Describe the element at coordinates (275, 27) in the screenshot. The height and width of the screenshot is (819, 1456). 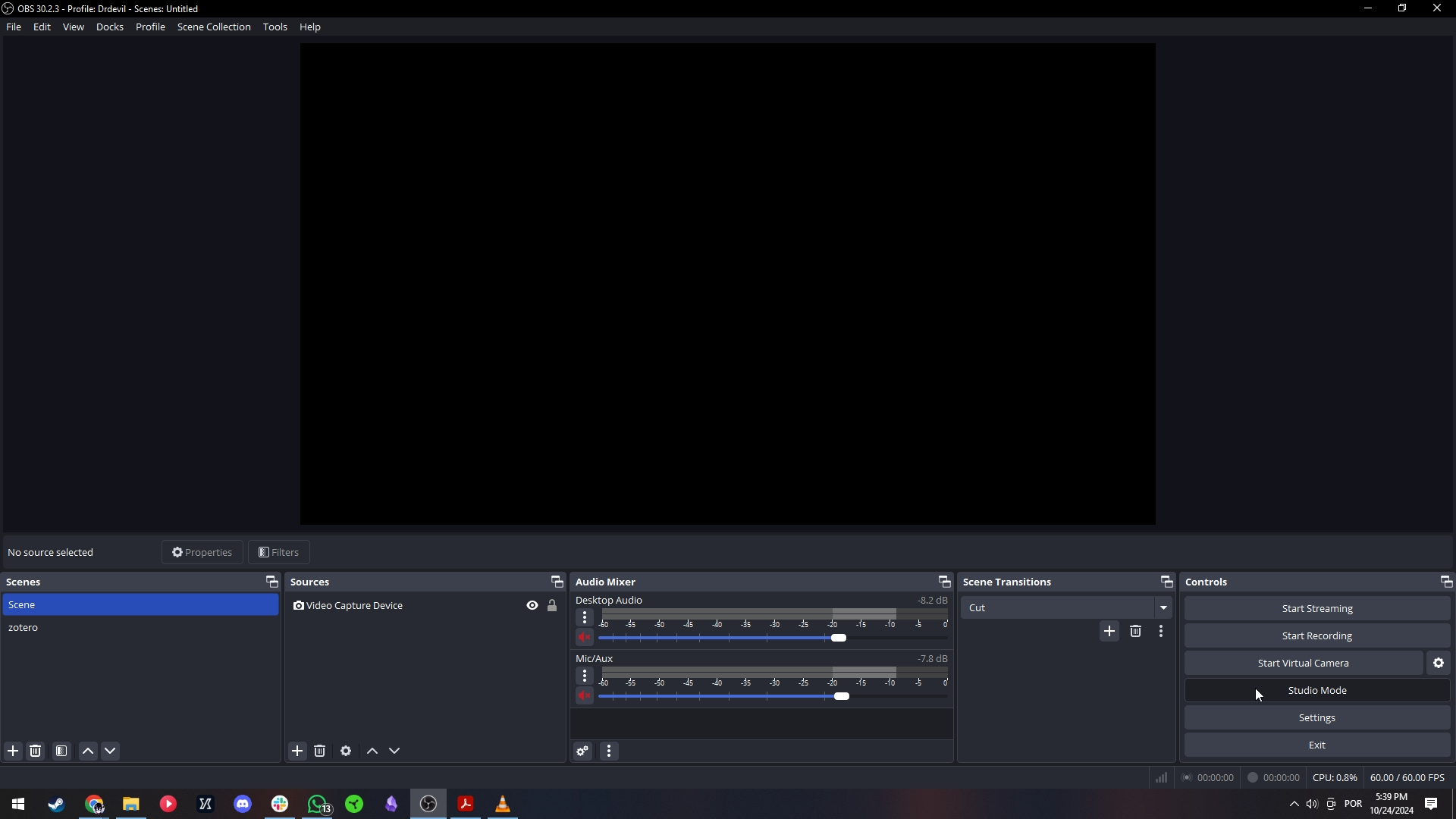
I see `Tools` at that location.